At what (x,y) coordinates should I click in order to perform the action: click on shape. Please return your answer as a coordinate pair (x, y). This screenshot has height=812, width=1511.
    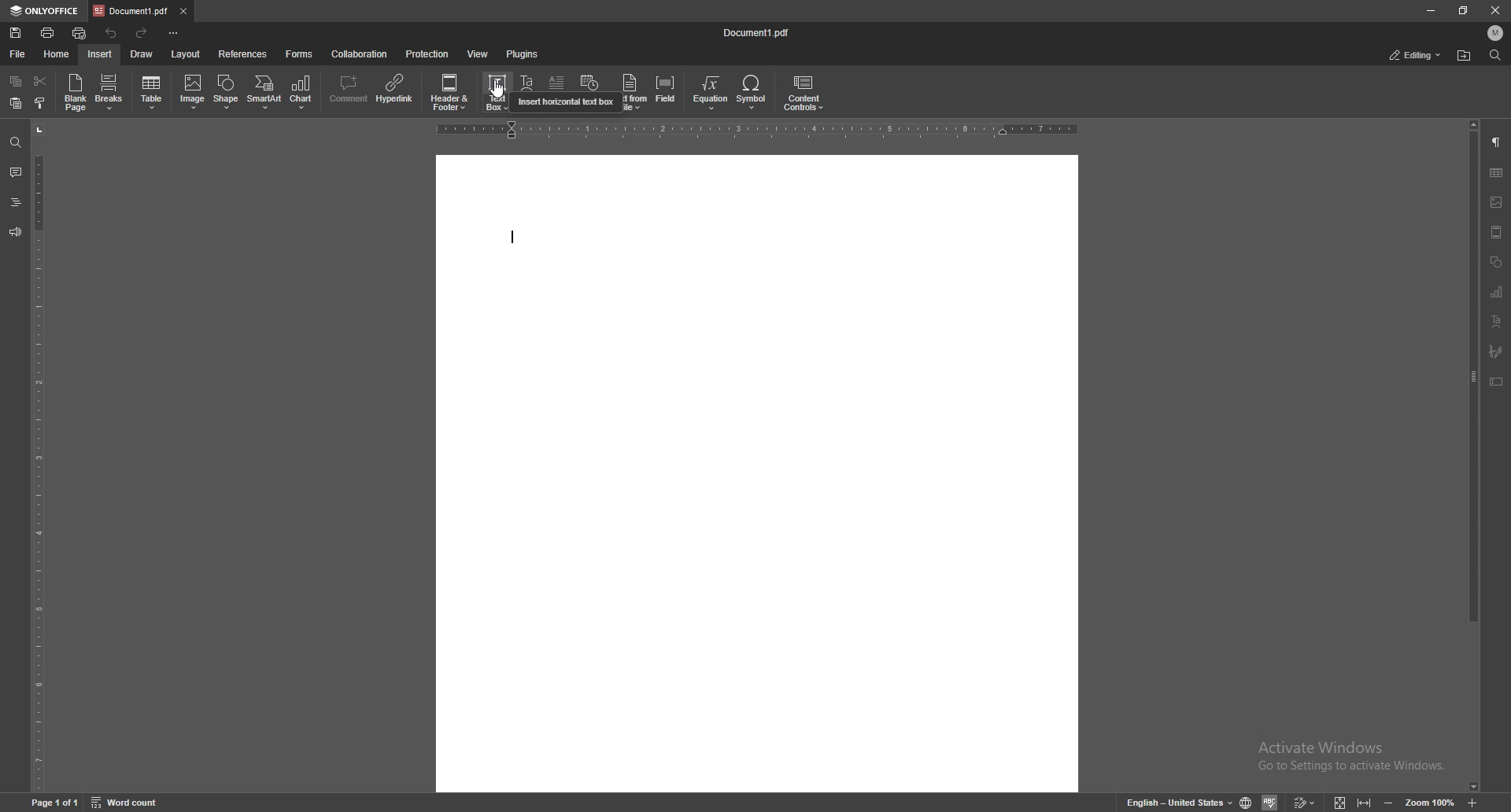
    Looking at the image, I should click on (227, 92).